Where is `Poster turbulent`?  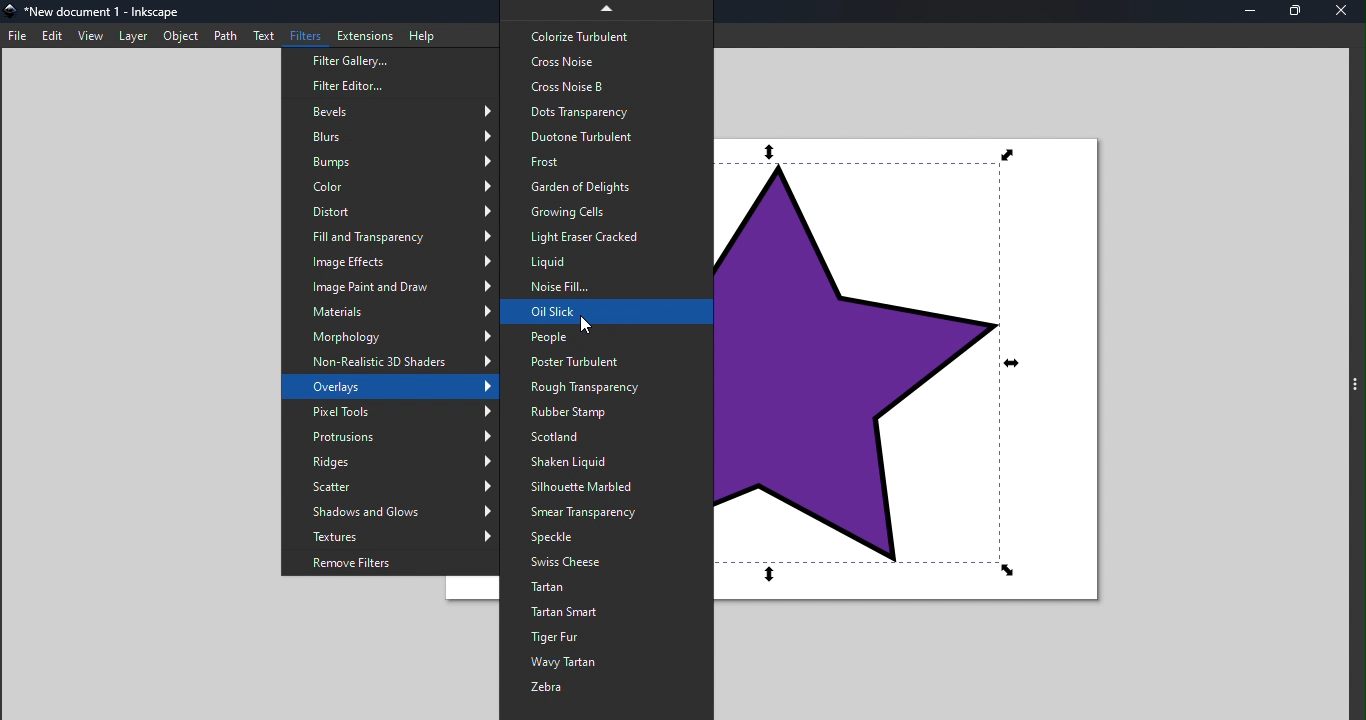 Poster turbulent is located at coordinates (605, 363).